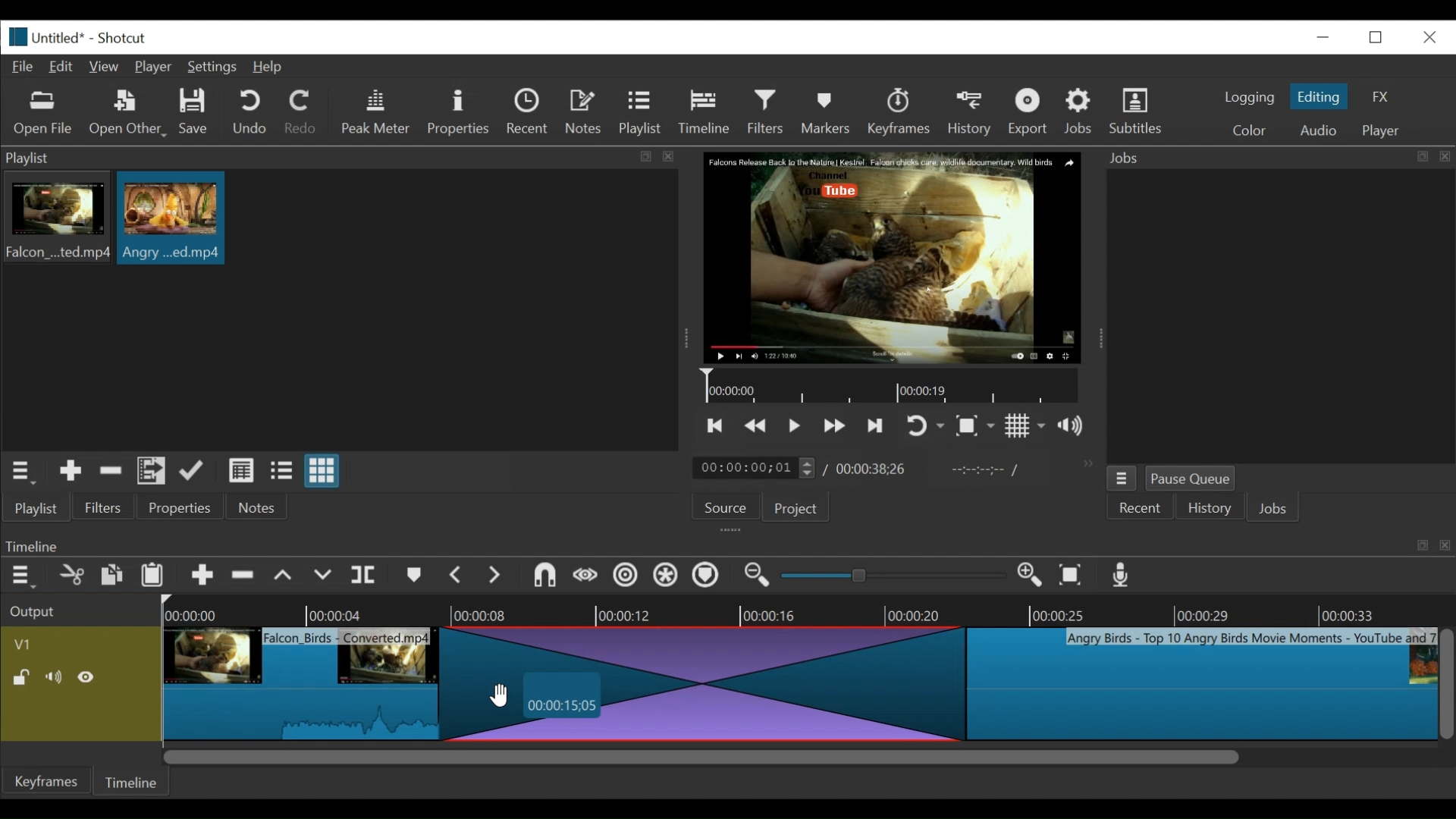 The height and width of the screenshot is (819, 1456). I want to click on close, so click(1428, 36).